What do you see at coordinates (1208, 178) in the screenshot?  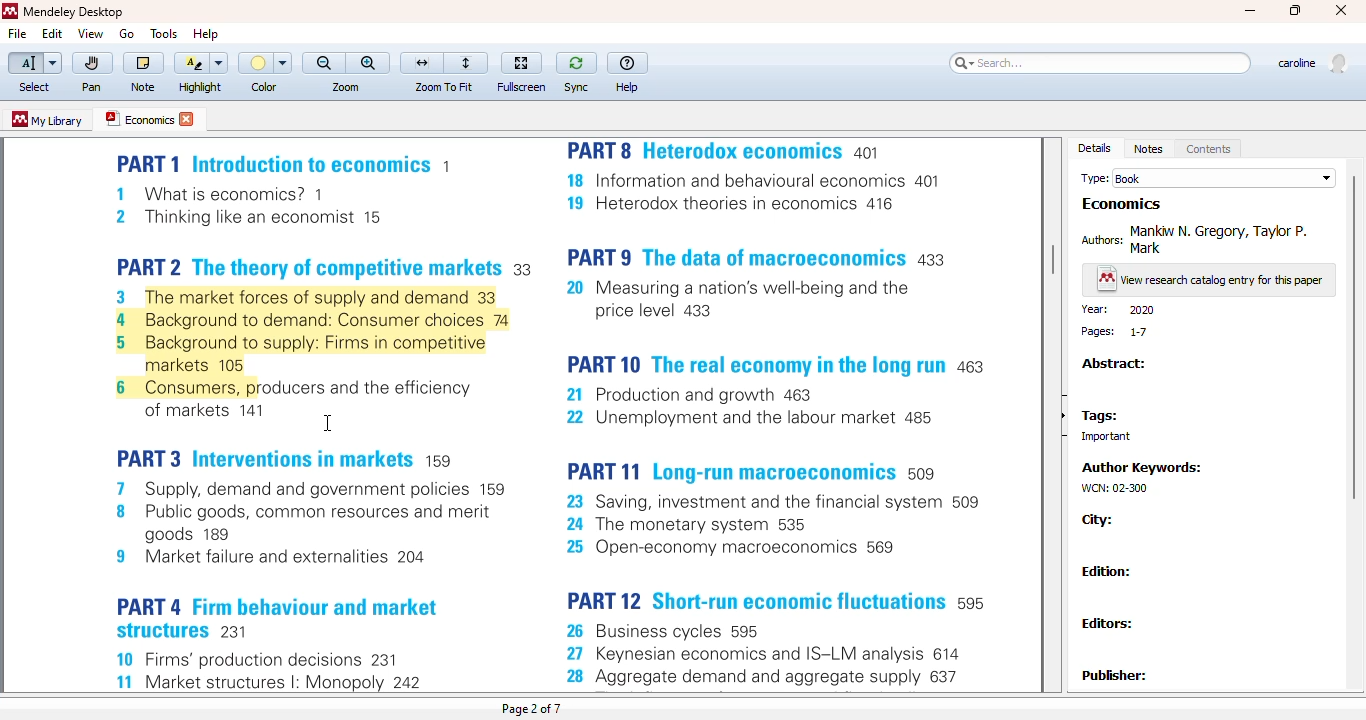 I see `type: book` at bounding box center [1208, 178].